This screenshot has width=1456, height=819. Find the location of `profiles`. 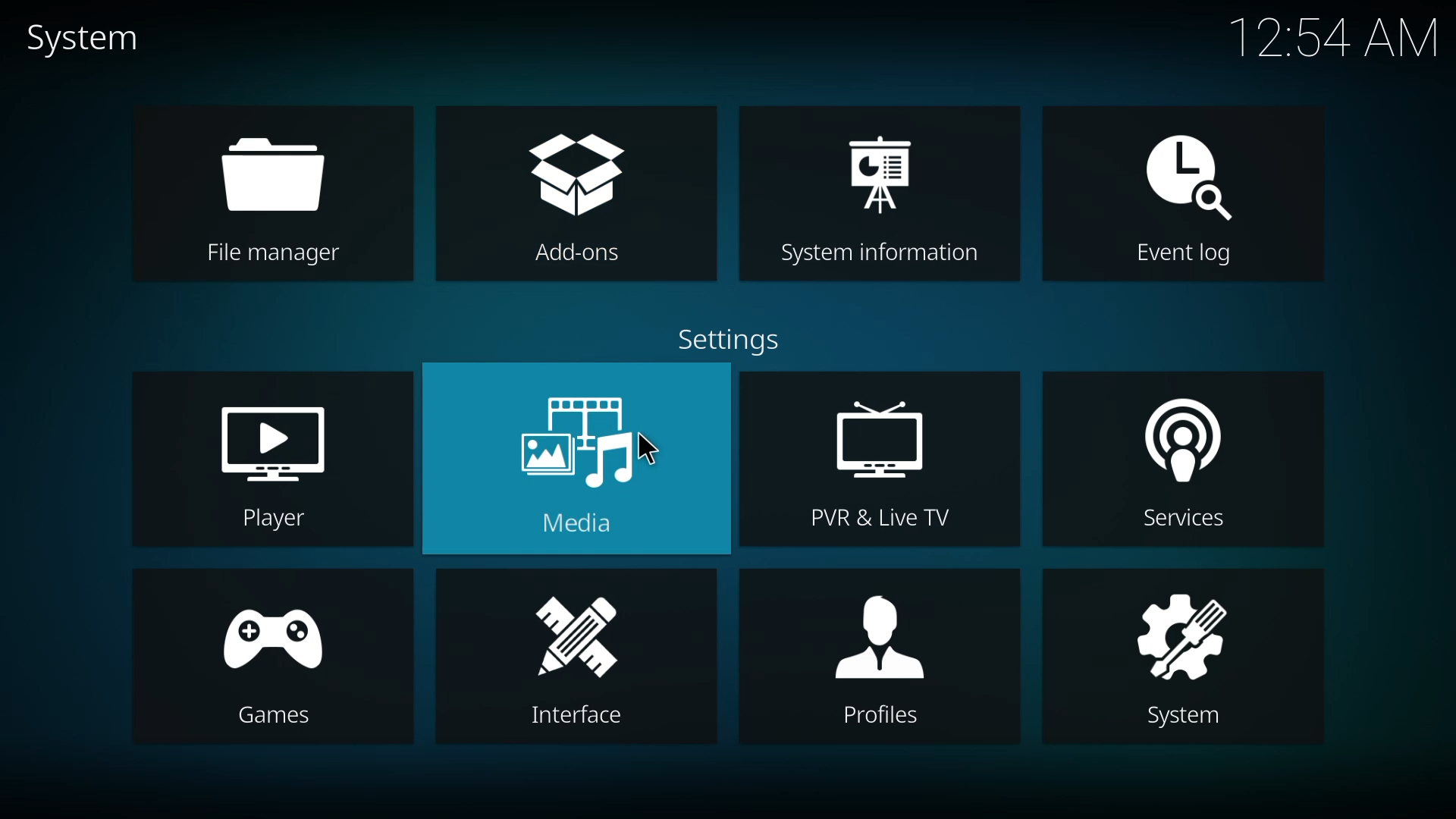

profiles is located at coordinates (884, 657).